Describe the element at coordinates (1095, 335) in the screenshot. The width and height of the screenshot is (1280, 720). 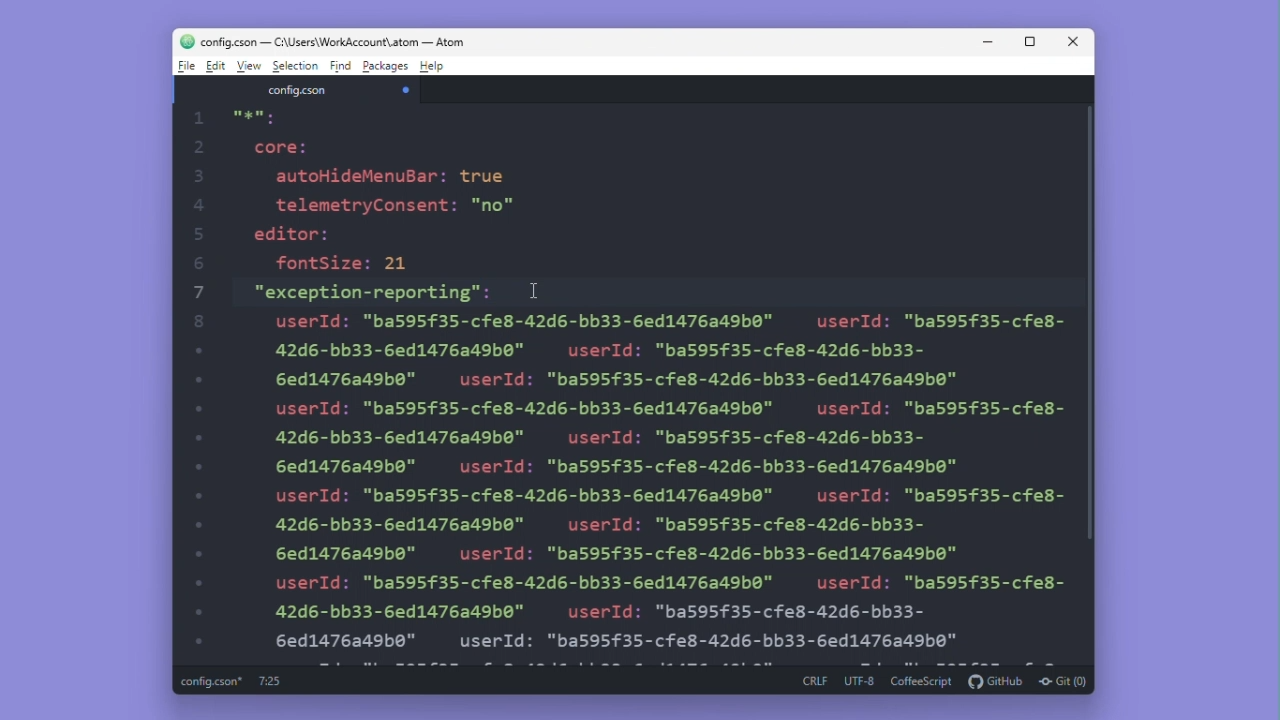
I see `Vertical scrollbar` at that location.